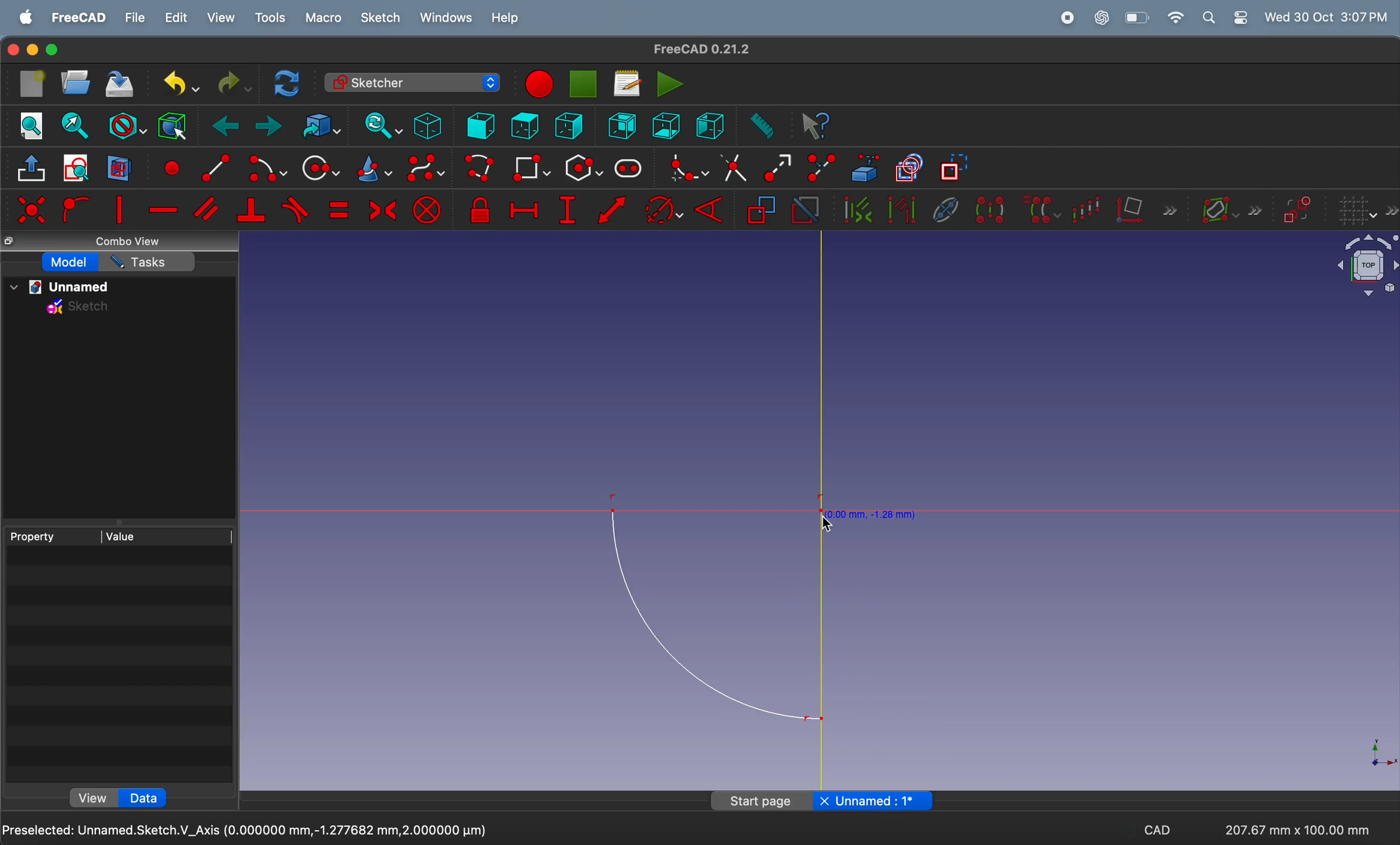 Image resolution: width=1400 pixels, height=845 pixels. Describe the element at coordinates (884, 802) in the screenshot. I see `Unnamed` at that location.